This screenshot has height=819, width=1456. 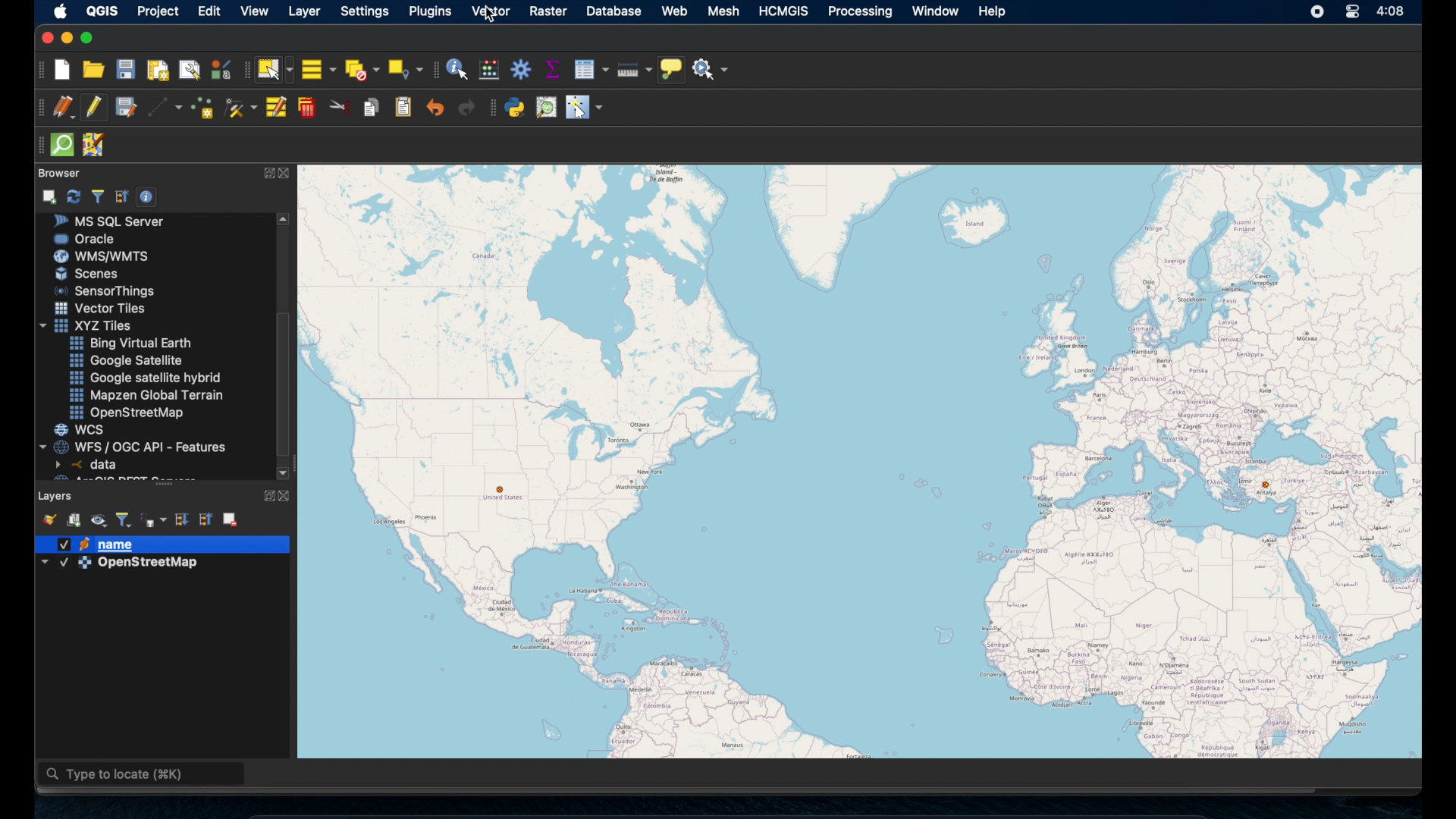 What do you see at coordinates (548, 107) in the screenshot?
I see `osm place search` at bounding box center [548, 107].